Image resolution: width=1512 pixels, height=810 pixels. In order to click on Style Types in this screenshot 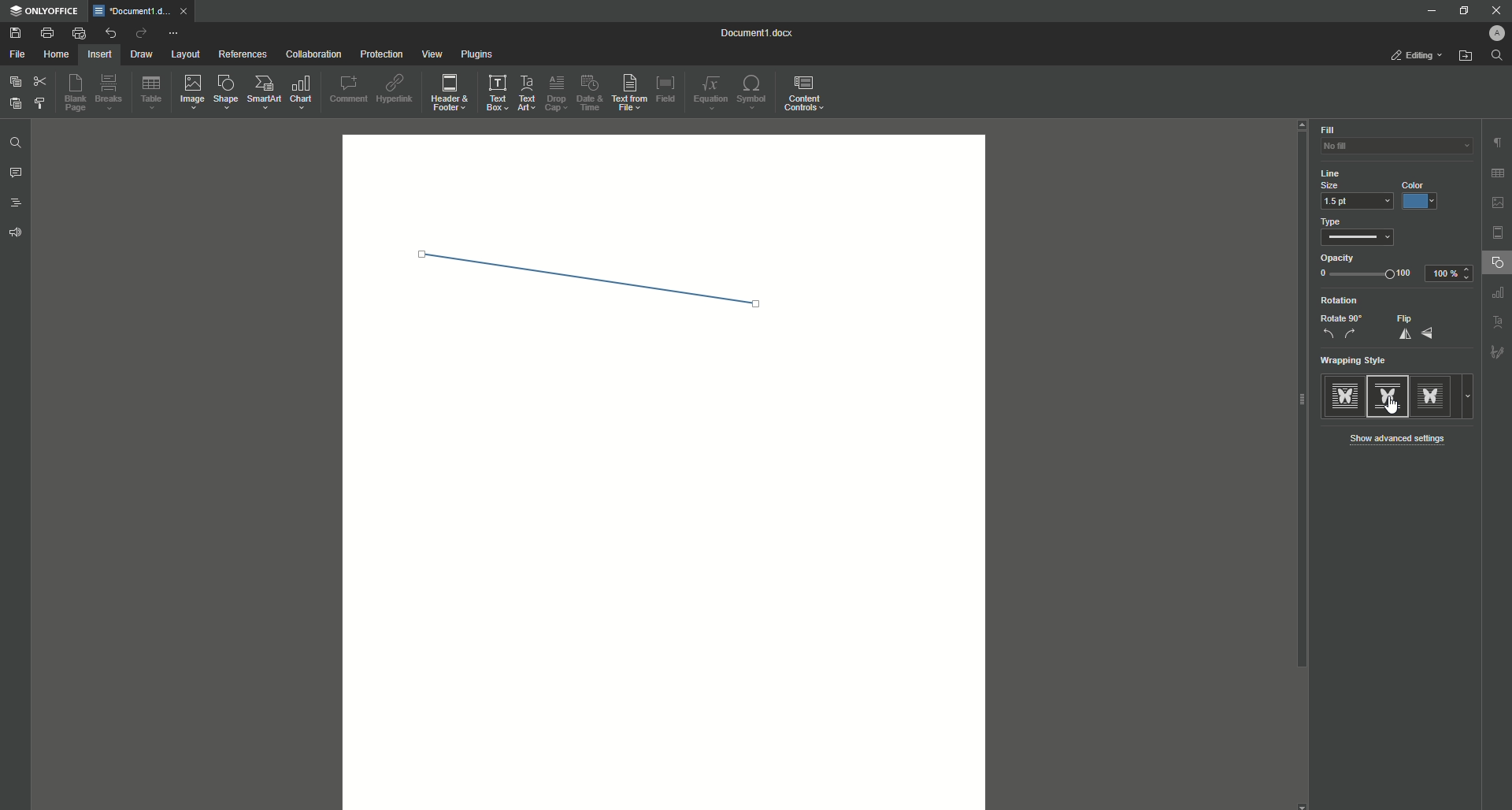, I will do `click(1399, 396)`.